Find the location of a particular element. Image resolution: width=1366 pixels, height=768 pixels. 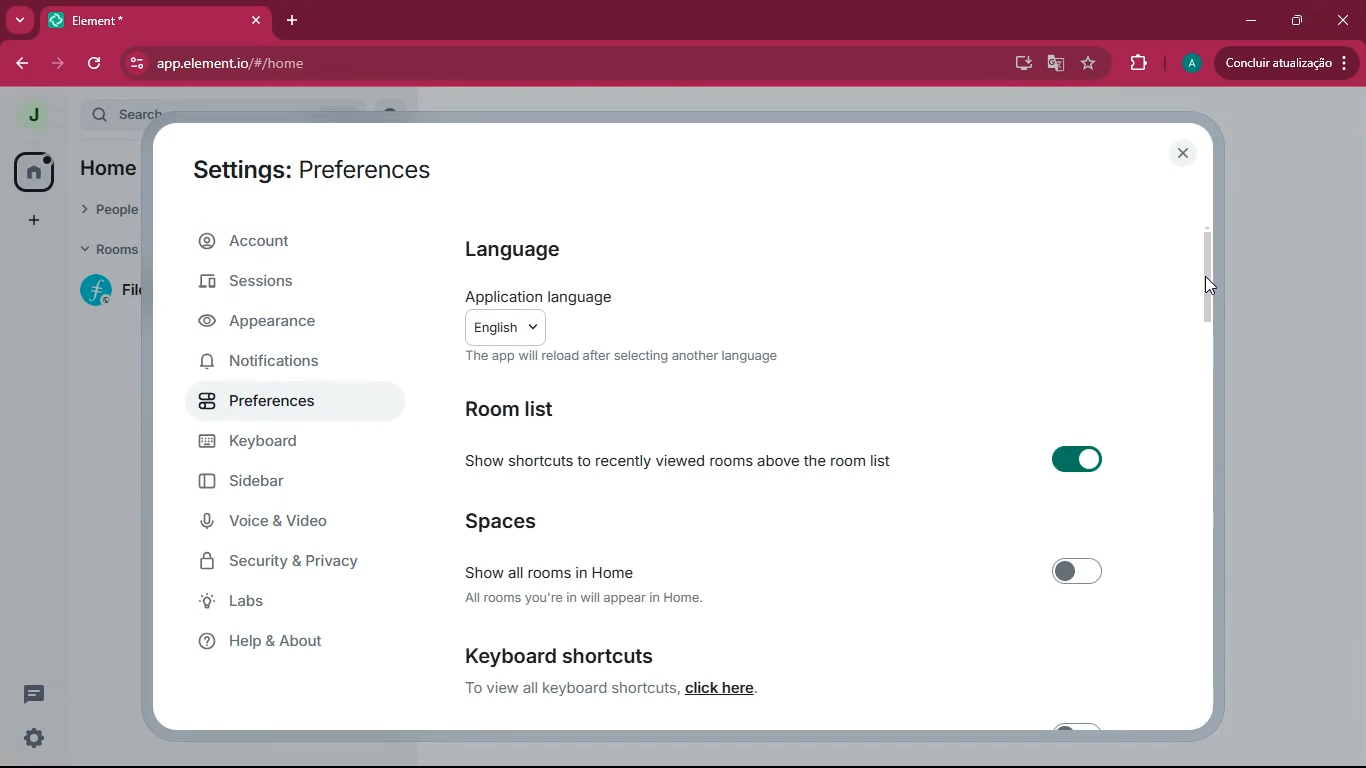

maximize is located at coordinates (1293, 21).